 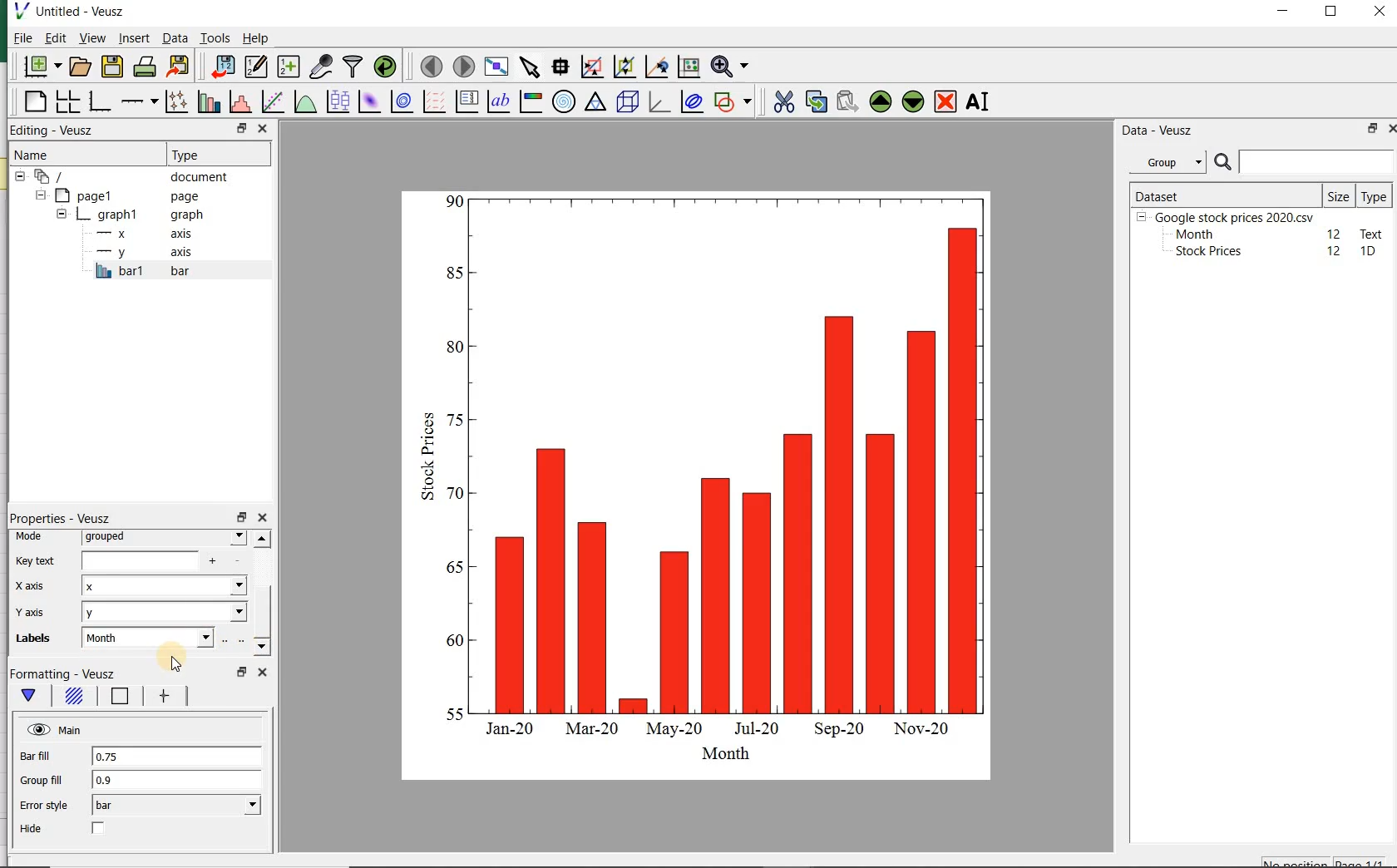 What do you see at coordinates (1228, 216) in the screenshot?
I see `Google stock prices 2020.csv` at bounding box center [1228, 216].